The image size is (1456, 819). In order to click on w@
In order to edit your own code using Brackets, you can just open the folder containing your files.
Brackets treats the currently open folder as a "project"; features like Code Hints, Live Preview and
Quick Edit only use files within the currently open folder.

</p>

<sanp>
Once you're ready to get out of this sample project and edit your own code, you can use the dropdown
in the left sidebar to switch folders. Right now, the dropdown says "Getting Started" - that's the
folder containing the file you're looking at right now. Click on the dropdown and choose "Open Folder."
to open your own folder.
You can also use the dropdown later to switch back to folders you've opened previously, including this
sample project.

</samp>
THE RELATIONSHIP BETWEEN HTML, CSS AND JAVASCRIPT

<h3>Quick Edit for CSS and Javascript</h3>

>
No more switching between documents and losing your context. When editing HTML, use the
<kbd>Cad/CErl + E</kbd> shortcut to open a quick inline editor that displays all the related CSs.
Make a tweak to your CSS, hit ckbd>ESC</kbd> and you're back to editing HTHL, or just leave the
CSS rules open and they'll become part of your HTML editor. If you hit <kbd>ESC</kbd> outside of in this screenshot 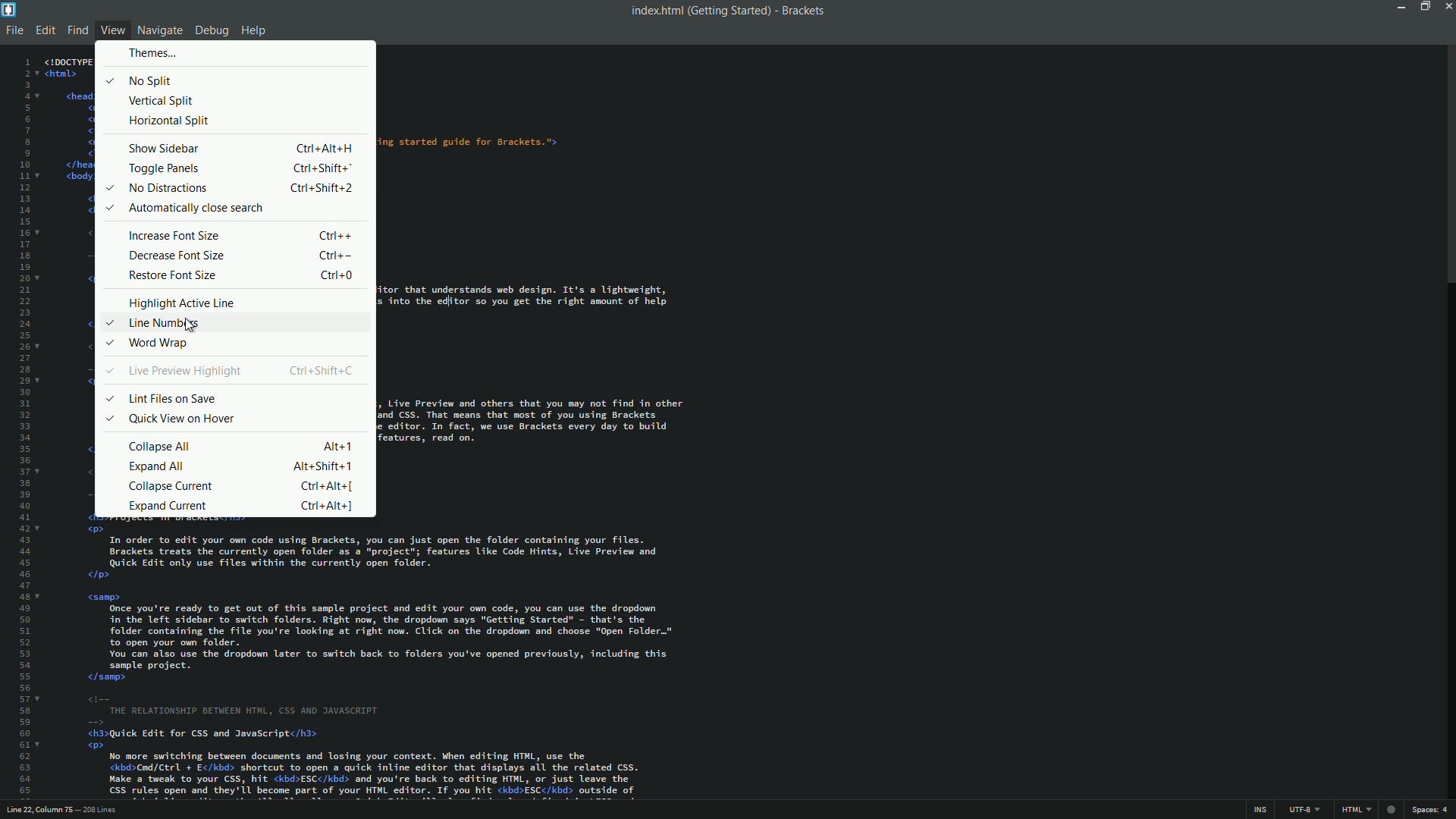, I will do `click(376, 660)`.